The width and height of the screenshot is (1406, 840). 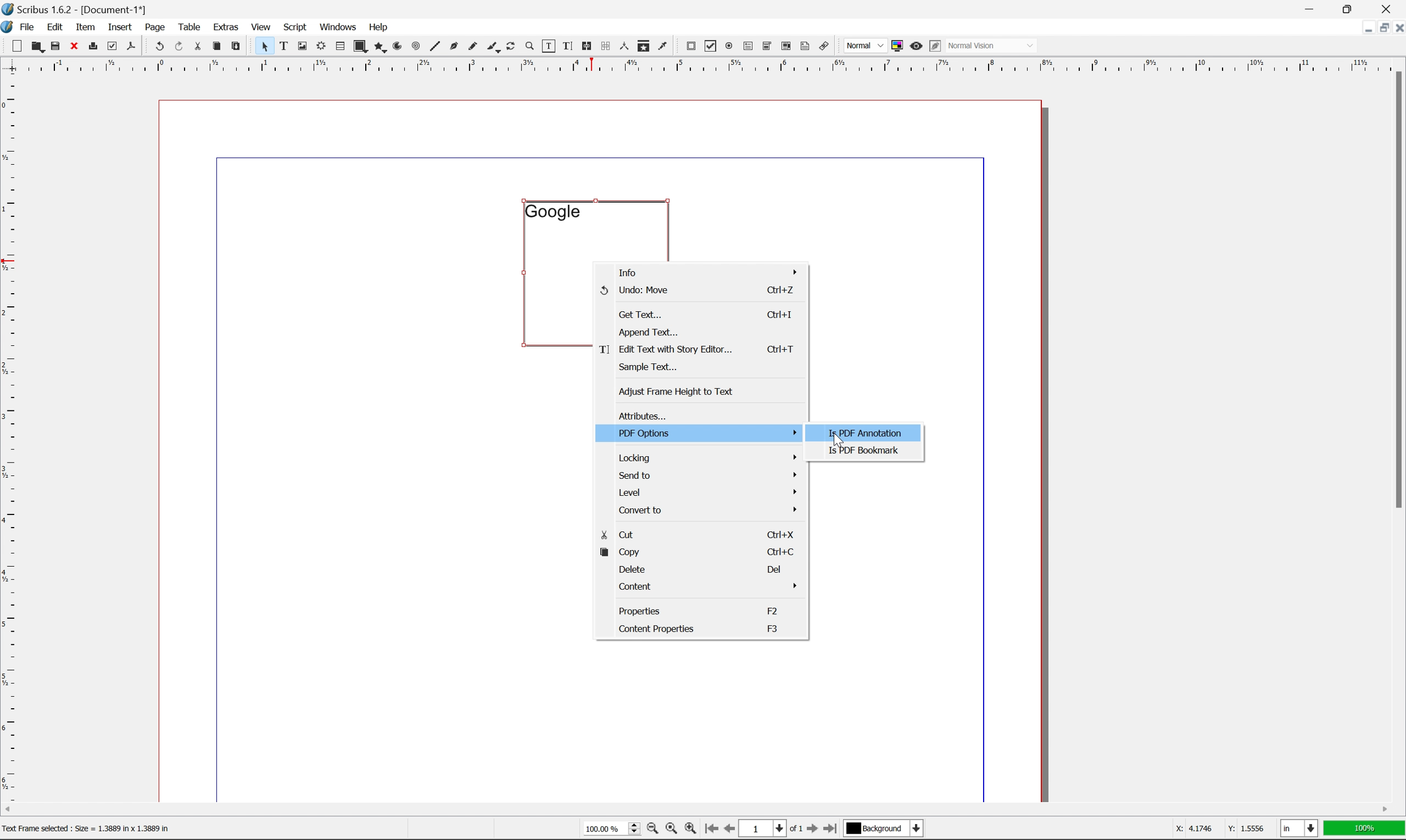 I want to click on pdf options, so click(x=708, y=433).